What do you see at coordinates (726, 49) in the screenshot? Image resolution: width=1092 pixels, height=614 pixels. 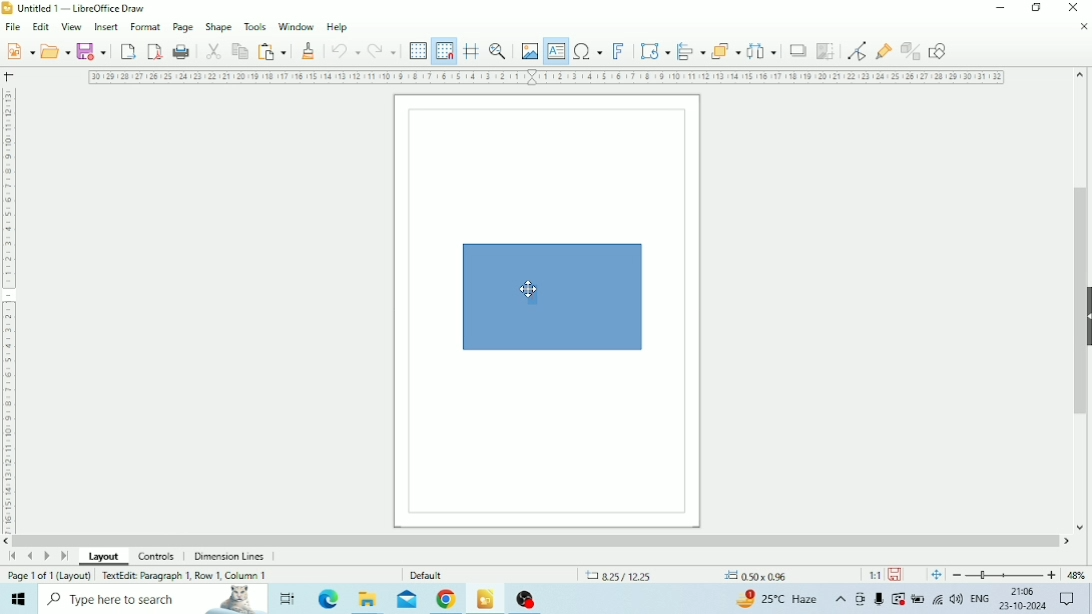 I see `Arrange` at bounding box center [726, 49].